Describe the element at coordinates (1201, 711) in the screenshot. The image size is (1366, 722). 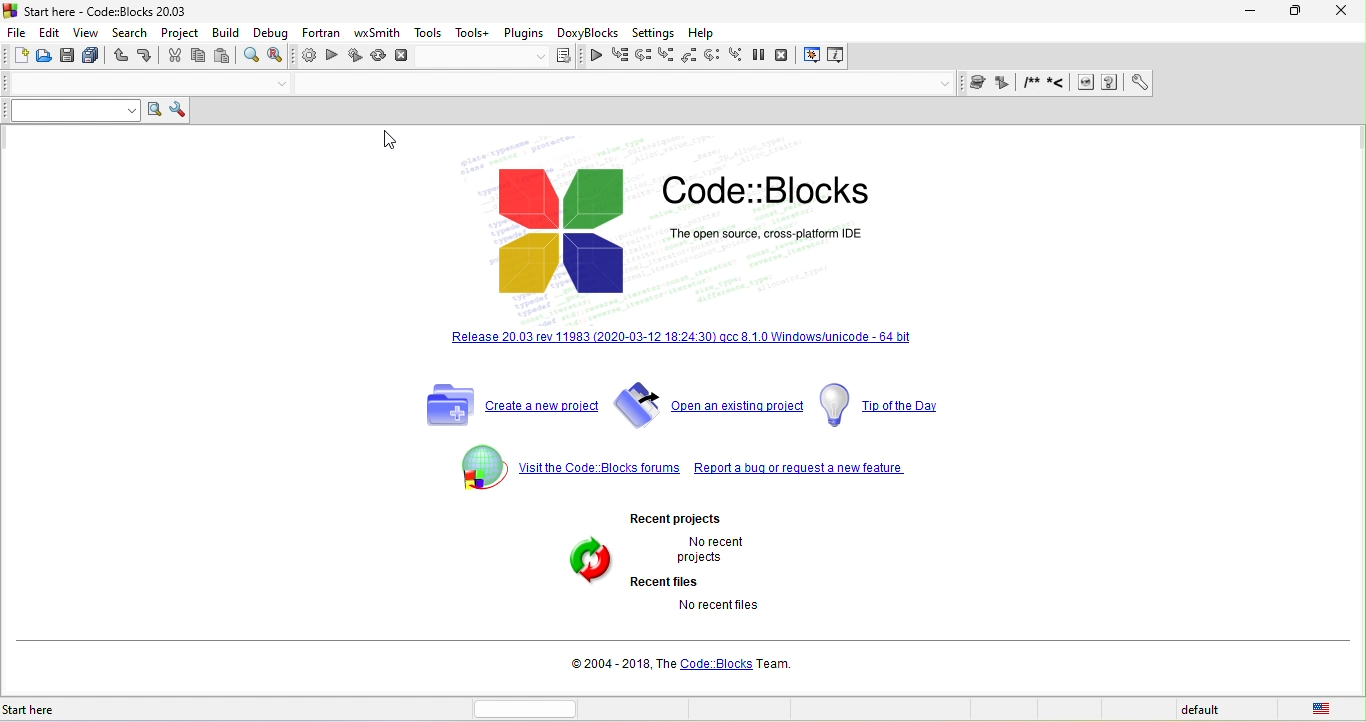
I see `default` at that location.